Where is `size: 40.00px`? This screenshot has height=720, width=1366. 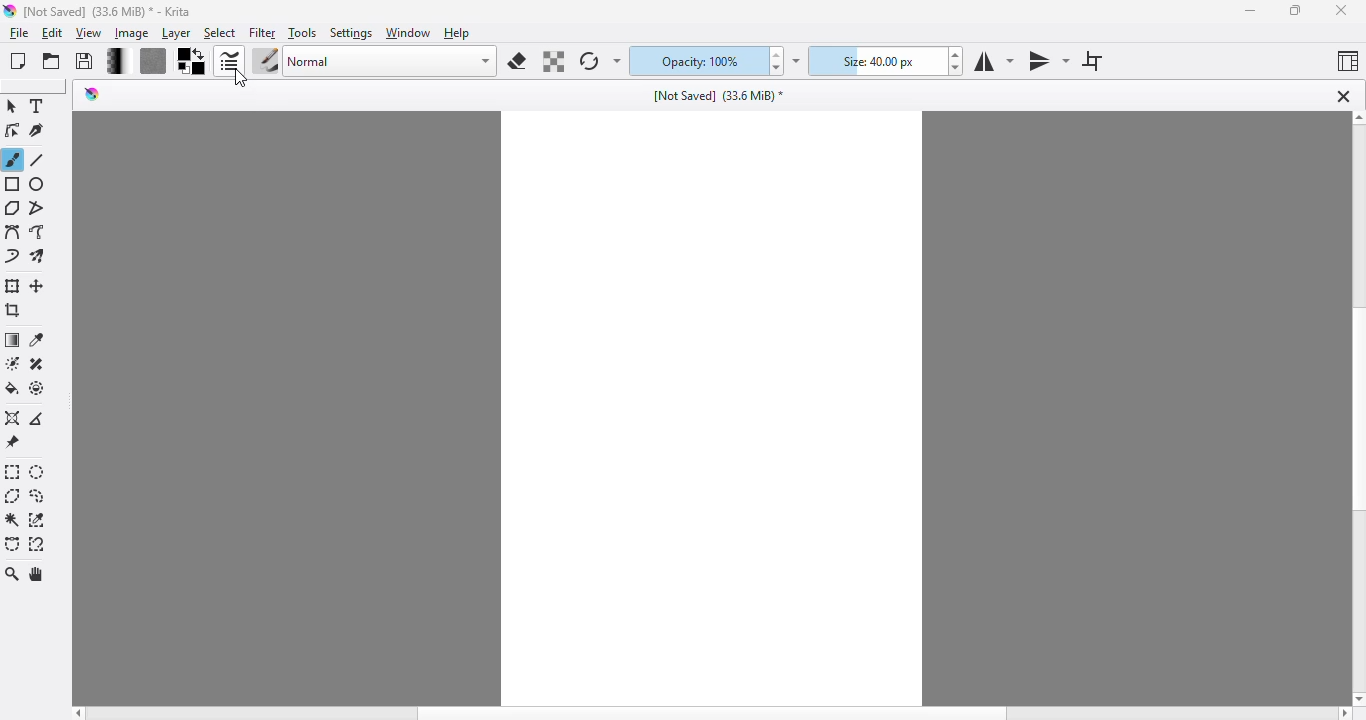 size: 40.00px is located at coordinates (880, 62).